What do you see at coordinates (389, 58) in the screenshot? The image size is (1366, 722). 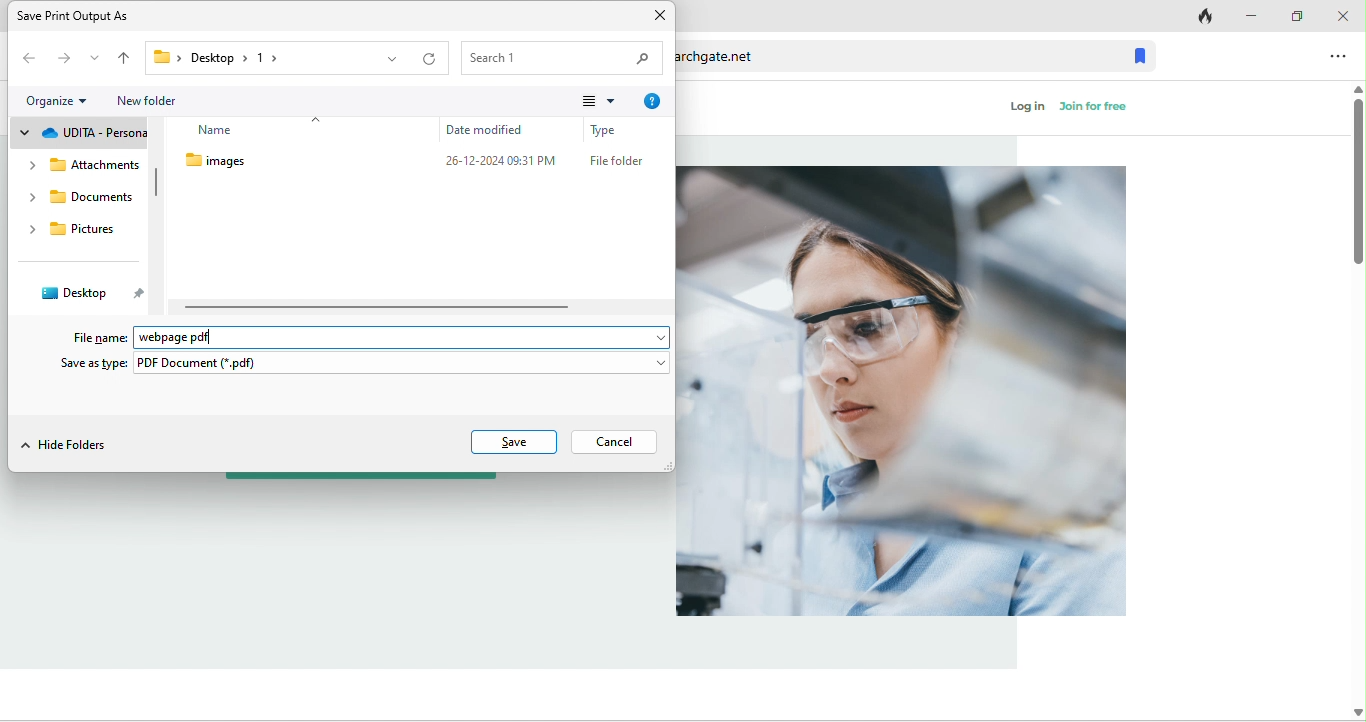 I see `previous location` at bounding box center [389, 58].